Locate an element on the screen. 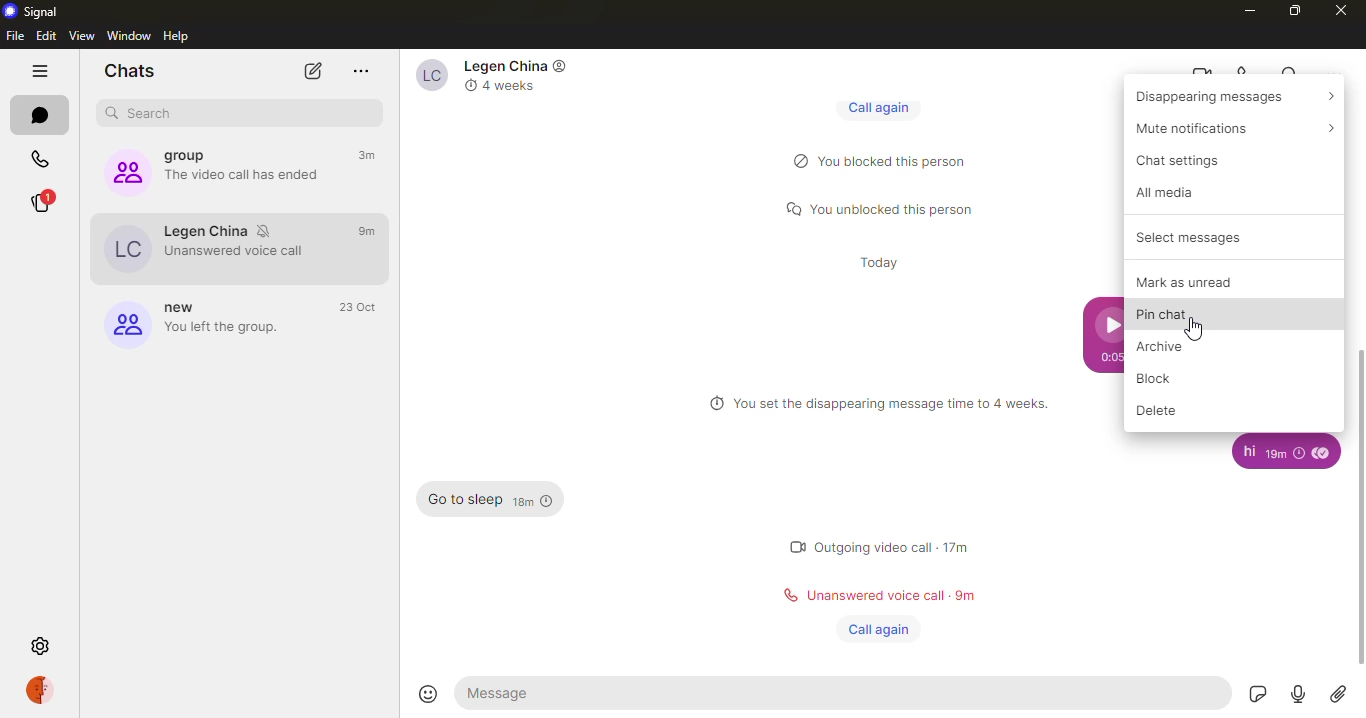  chats is located at coordinates (40, 116).